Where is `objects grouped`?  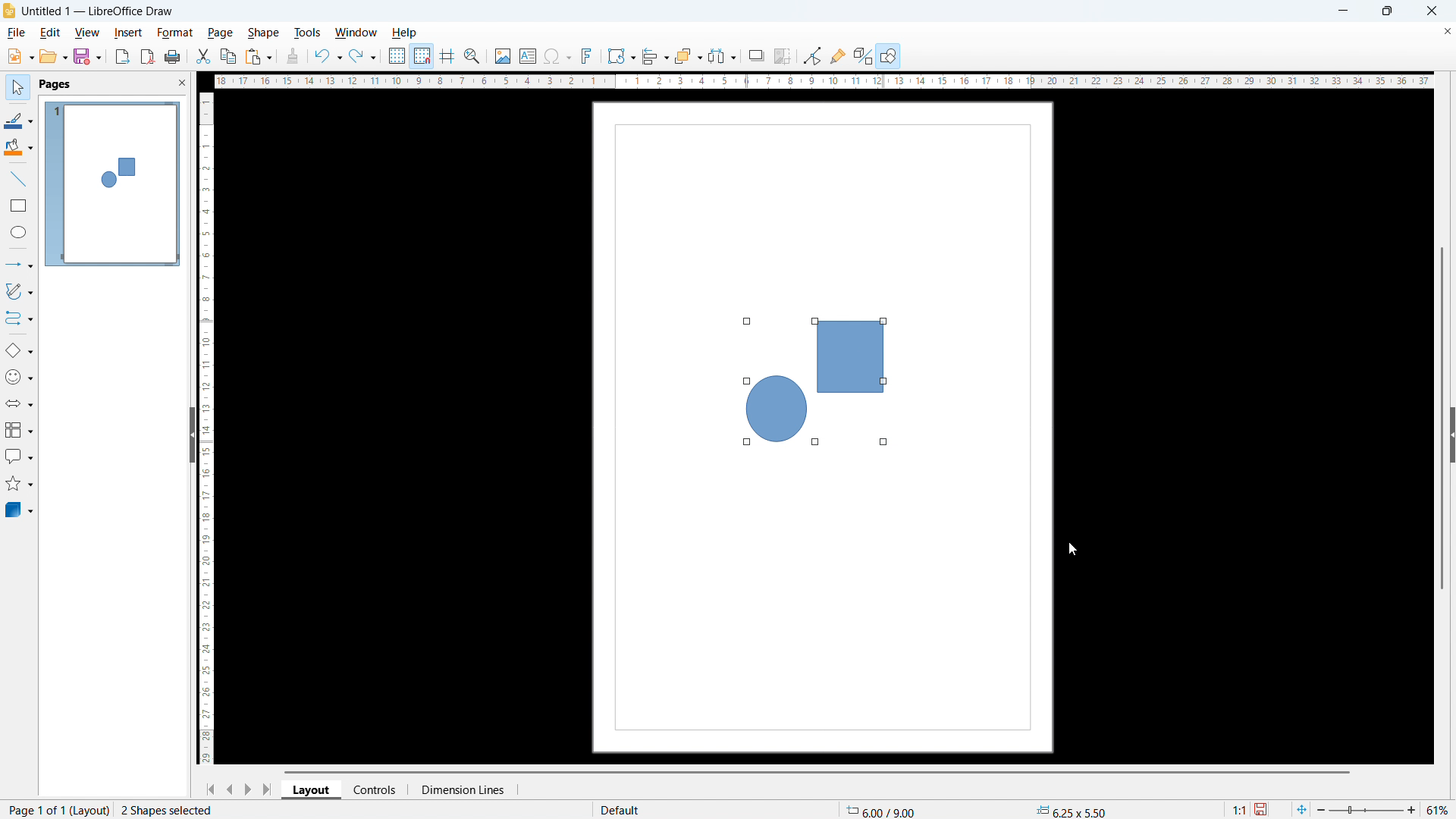
objects grouped is located at coordinates (815, 385).